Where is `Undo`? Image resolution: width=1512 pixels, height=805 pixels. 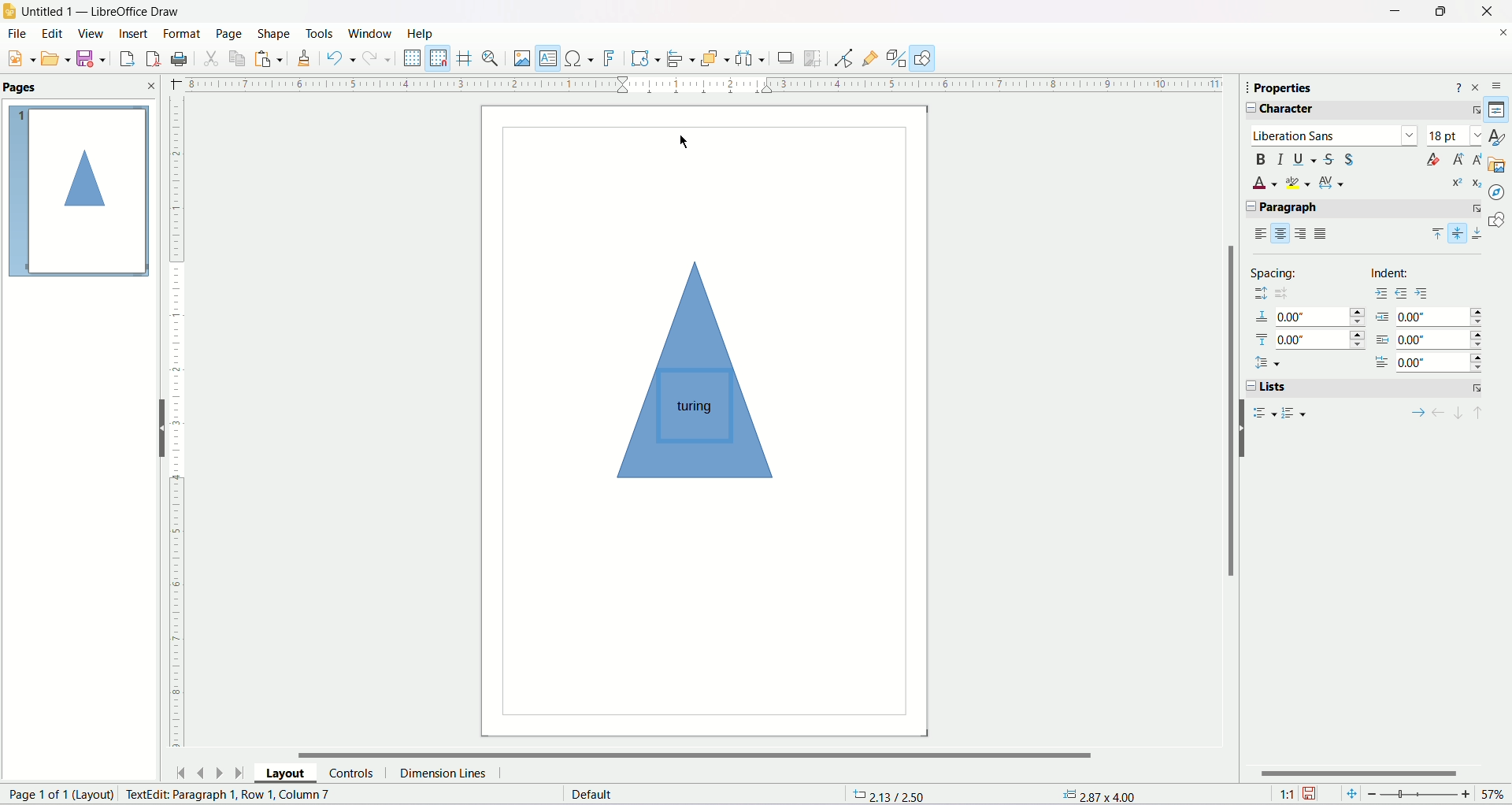
Undo is located at coordinates (341, 57).